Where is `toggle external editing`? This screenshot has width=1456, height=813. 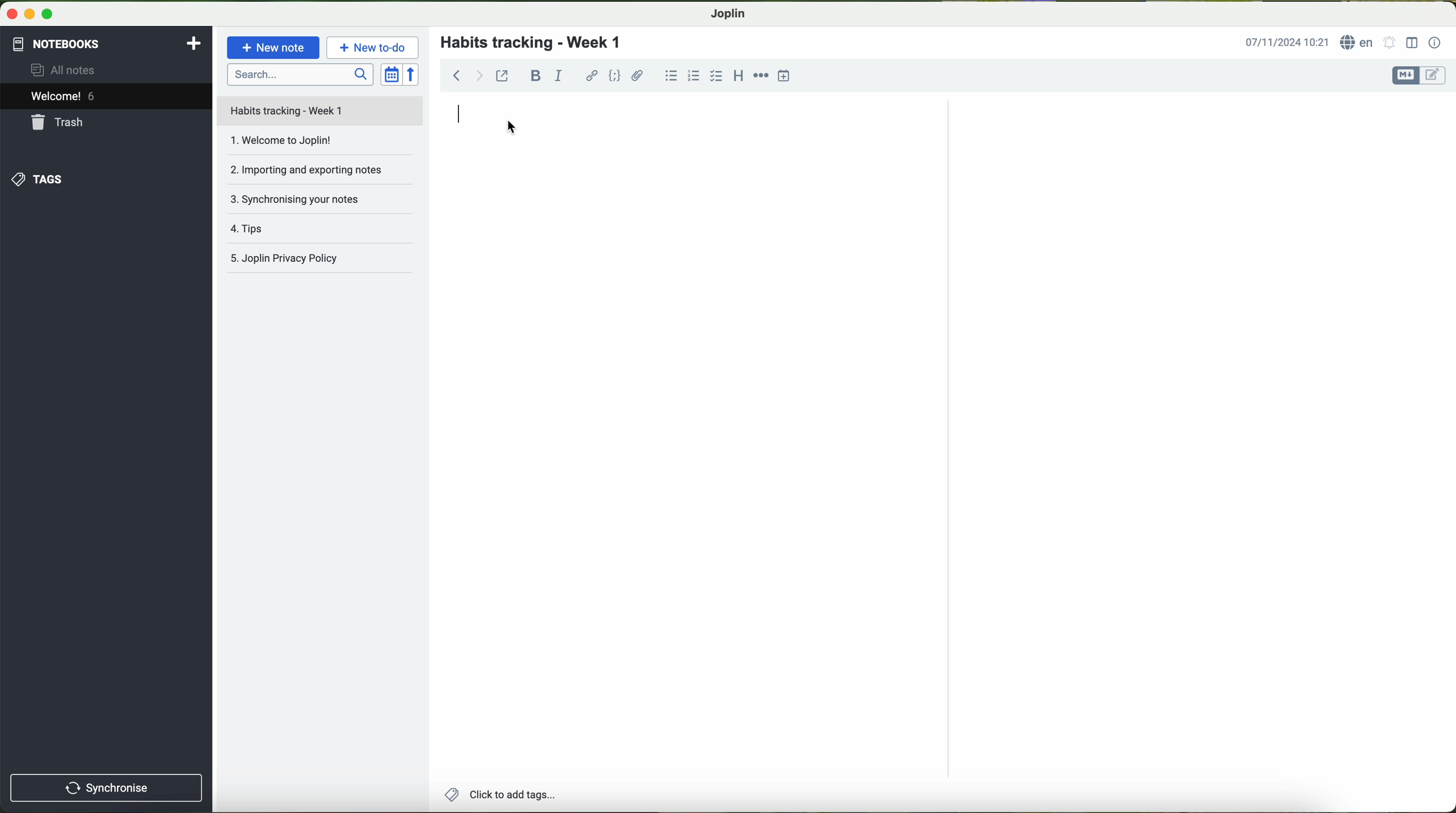 toggle external editing is located at coordinates (502, 75).